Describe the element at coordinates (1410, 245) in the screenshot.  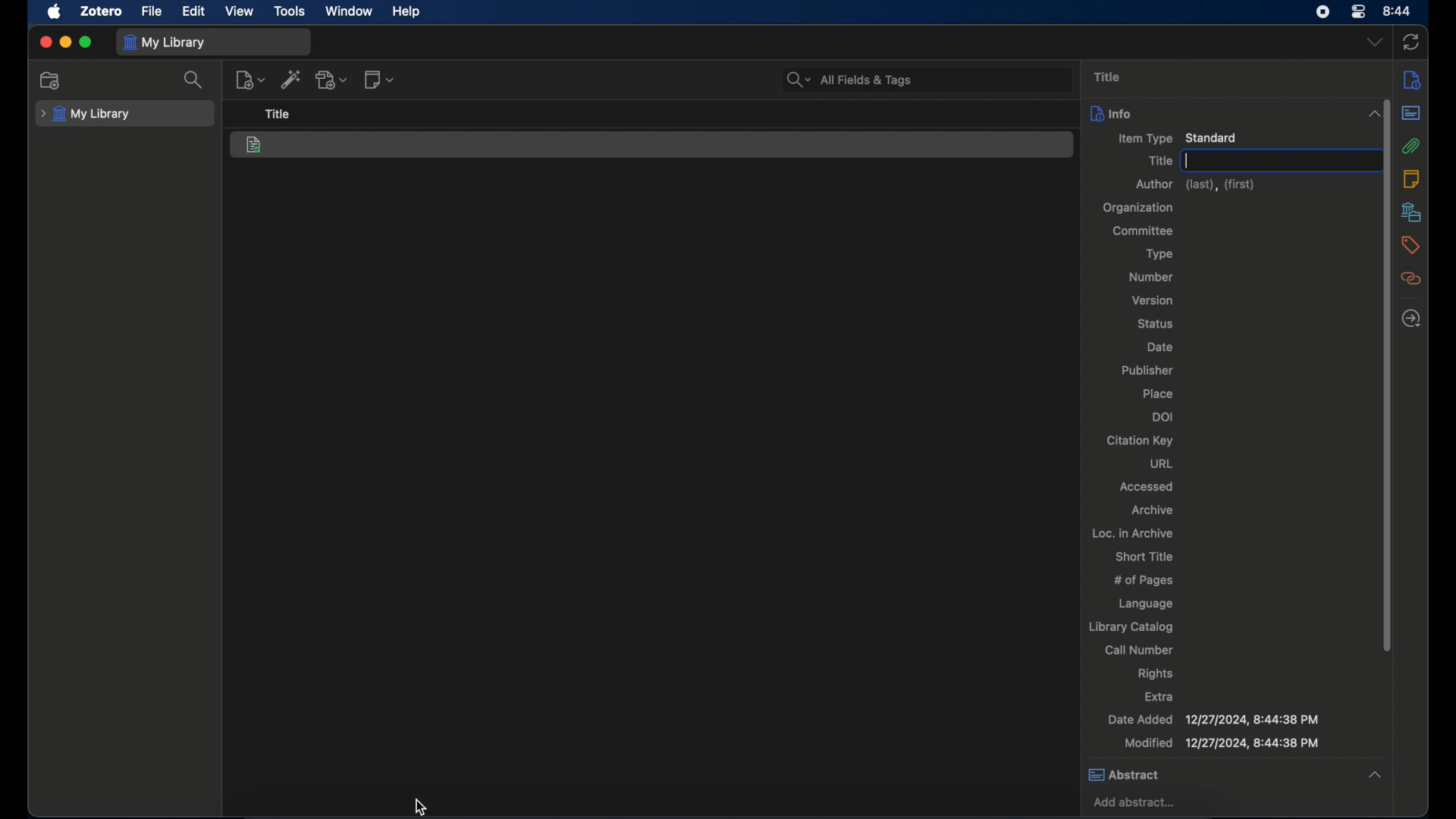
I see `tags` at that location.